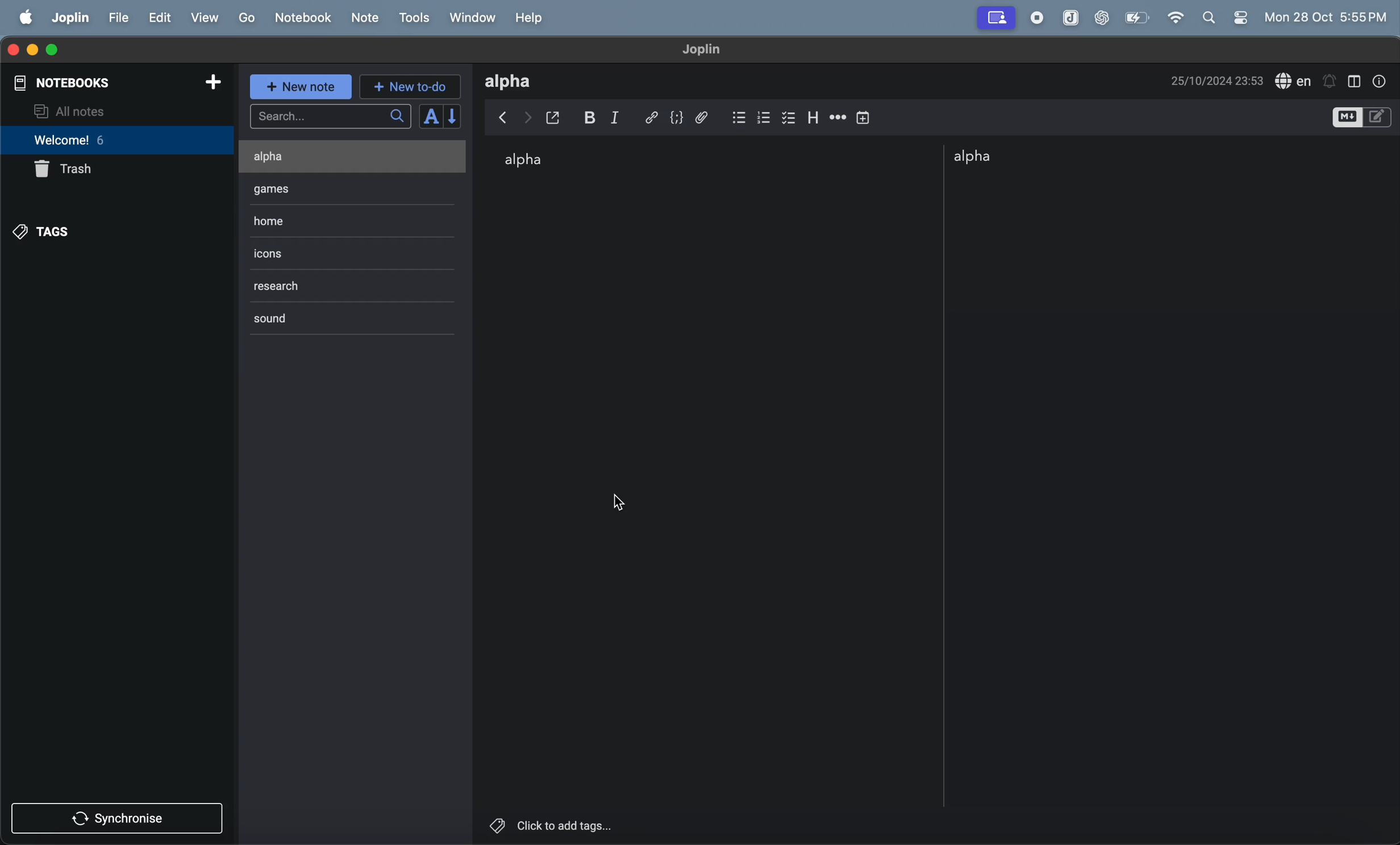  I want to click on cursor, so click(210, 26).